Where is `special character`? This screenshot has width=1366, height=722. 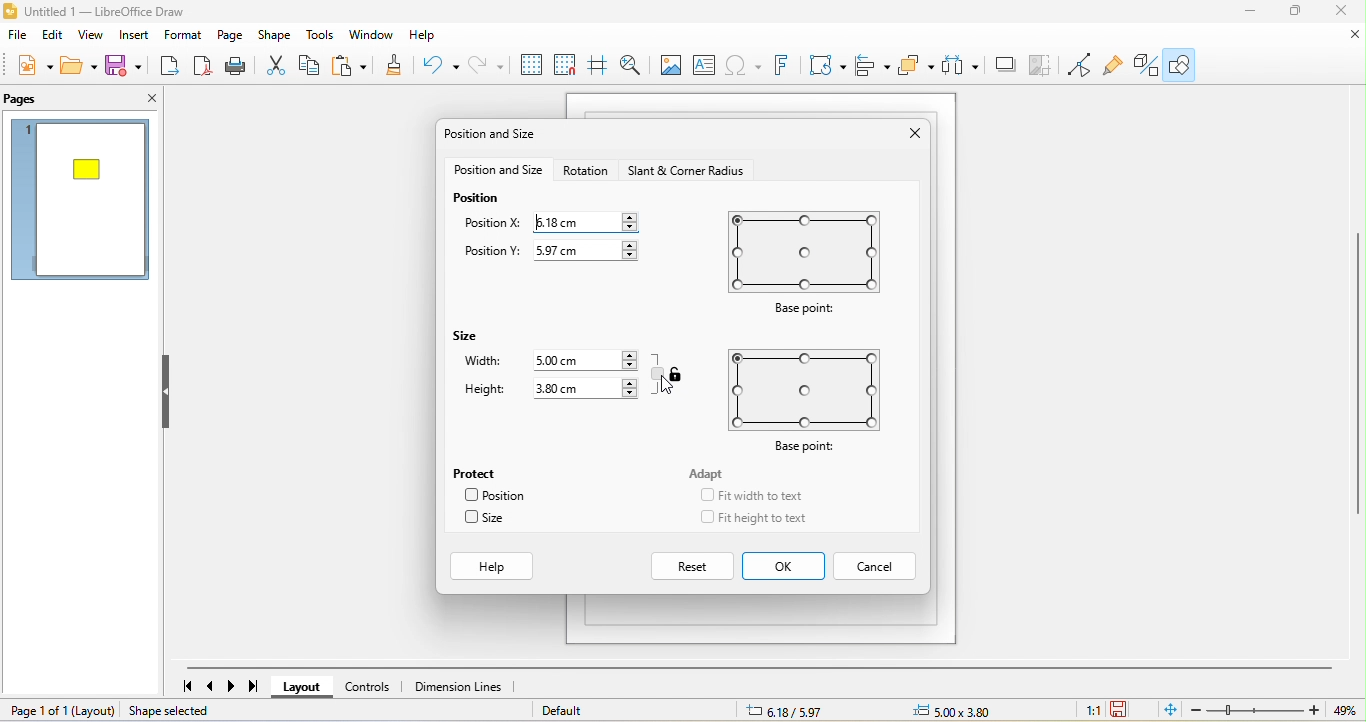 special character is located at coordinates (746, 66).